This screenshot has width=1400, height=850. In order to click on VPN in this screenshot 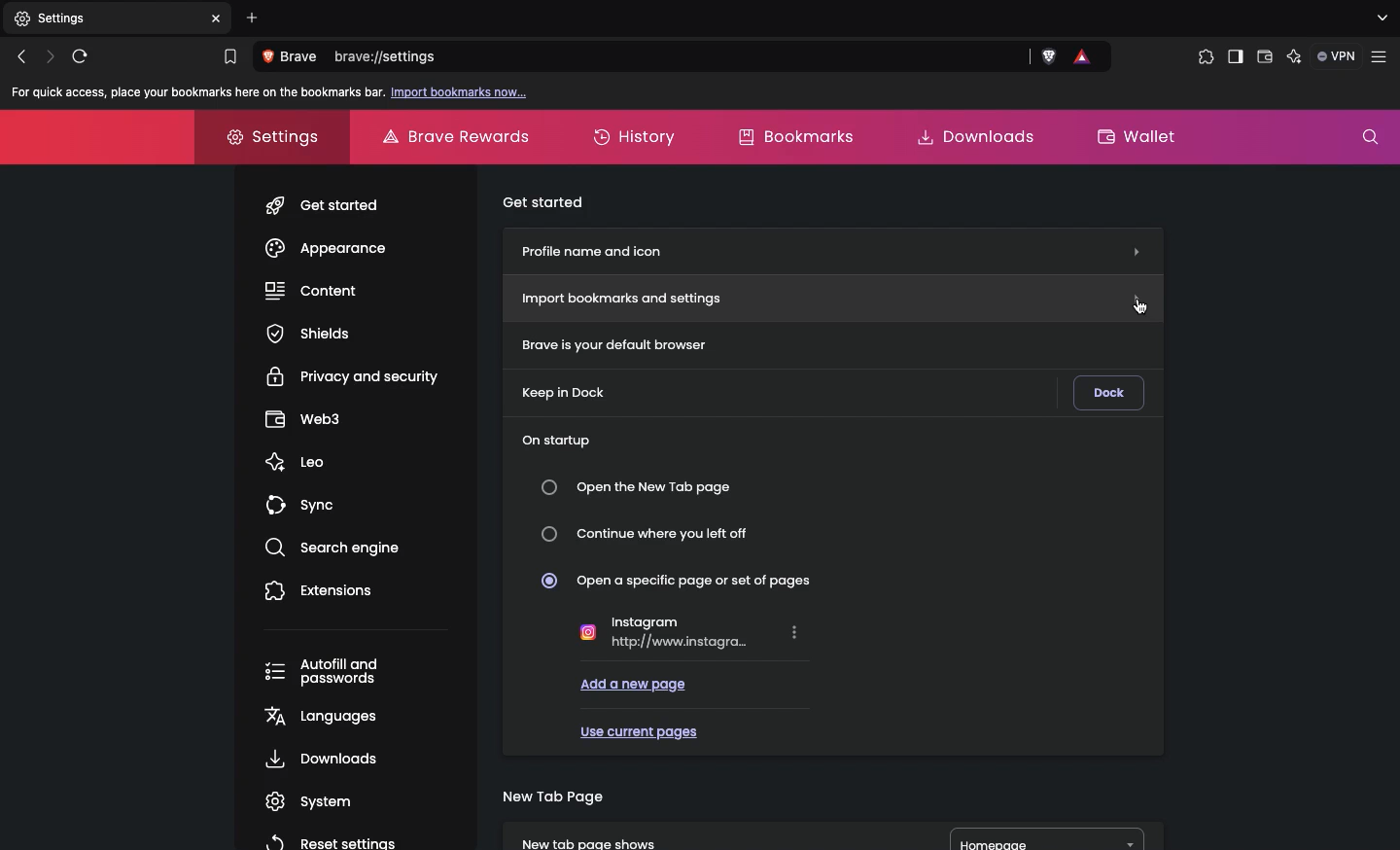, I will do `click(1338, 55)`.